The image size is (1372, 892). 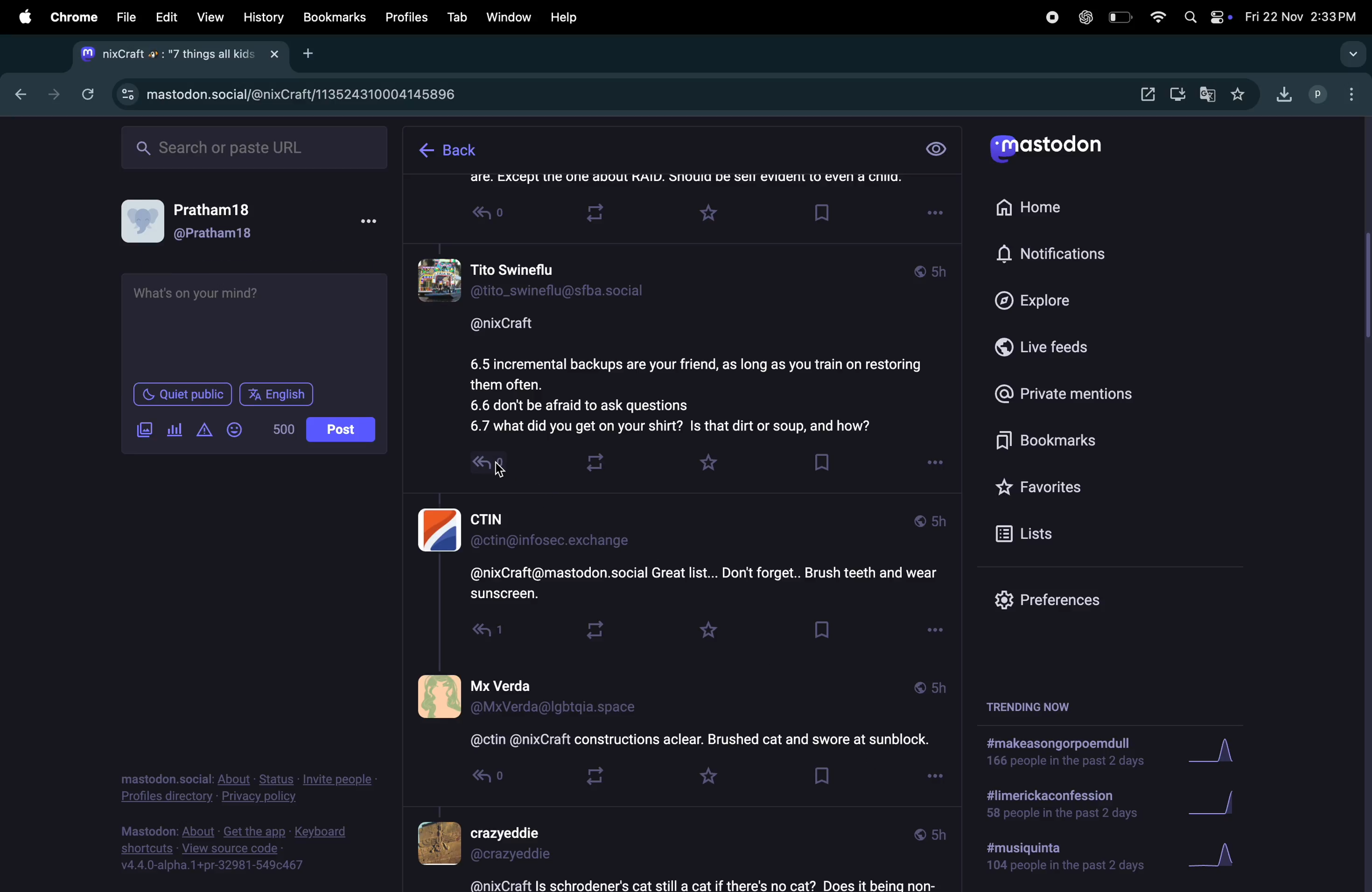 I want to click on mastodon.social: About - Status - Invite people -
Profiles directory - Privacy policy., so click(x=247, y=779).